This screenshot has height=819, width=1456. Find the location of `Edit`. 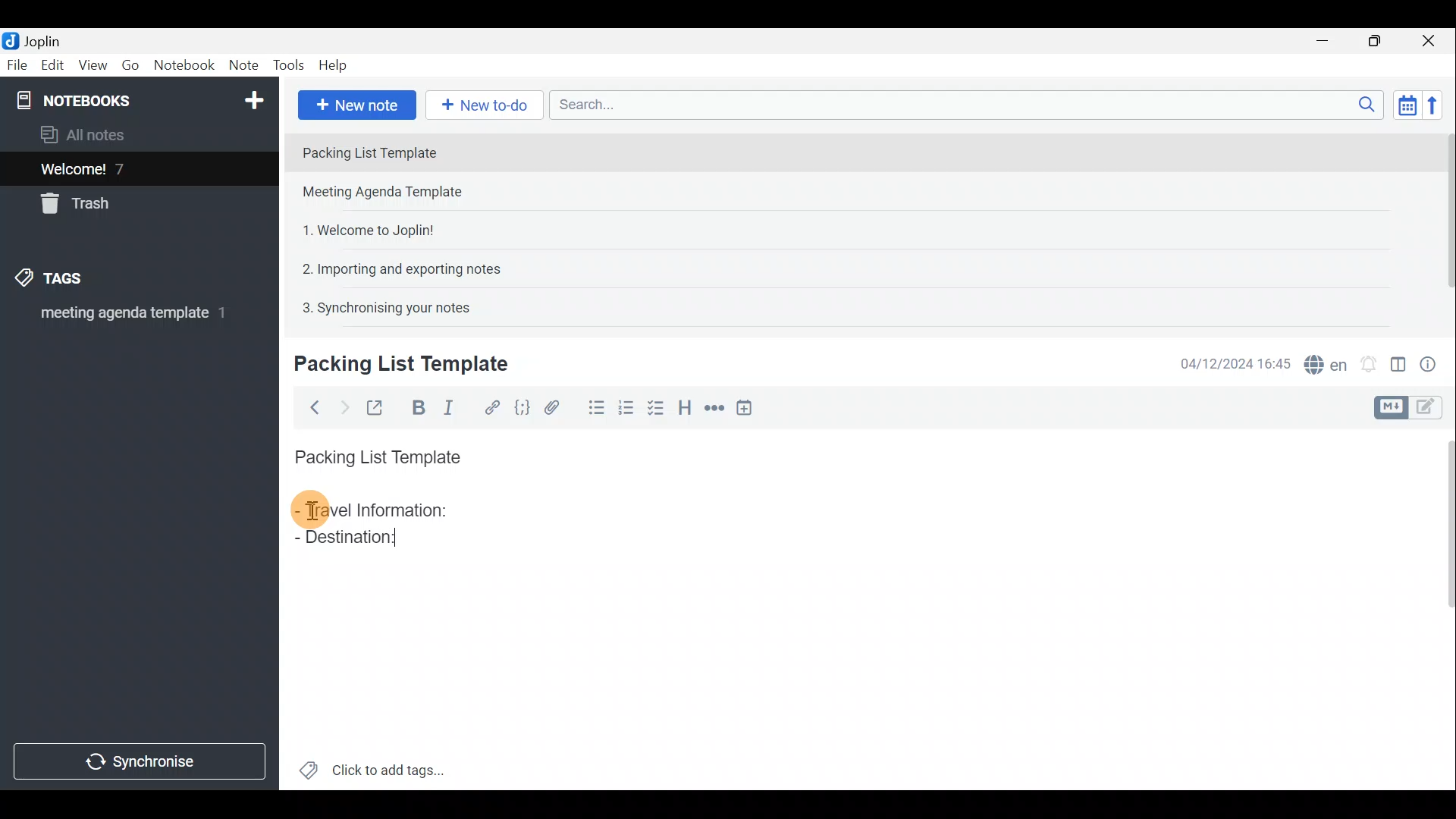

Edit is located at coordinates (49, 66).